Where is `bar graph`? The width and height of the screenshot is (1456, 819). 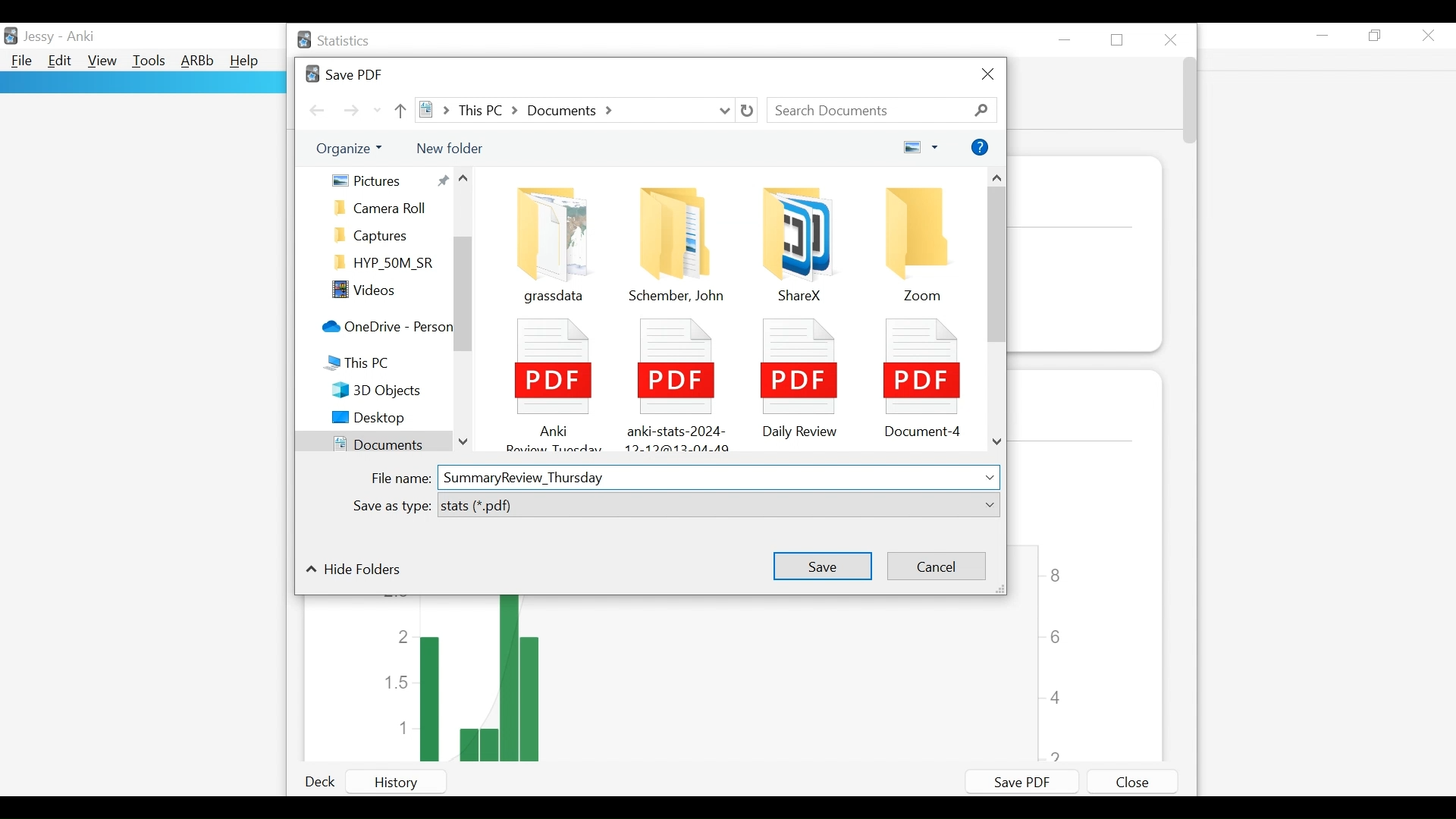 bar graph is located at coordinates (717, 679).